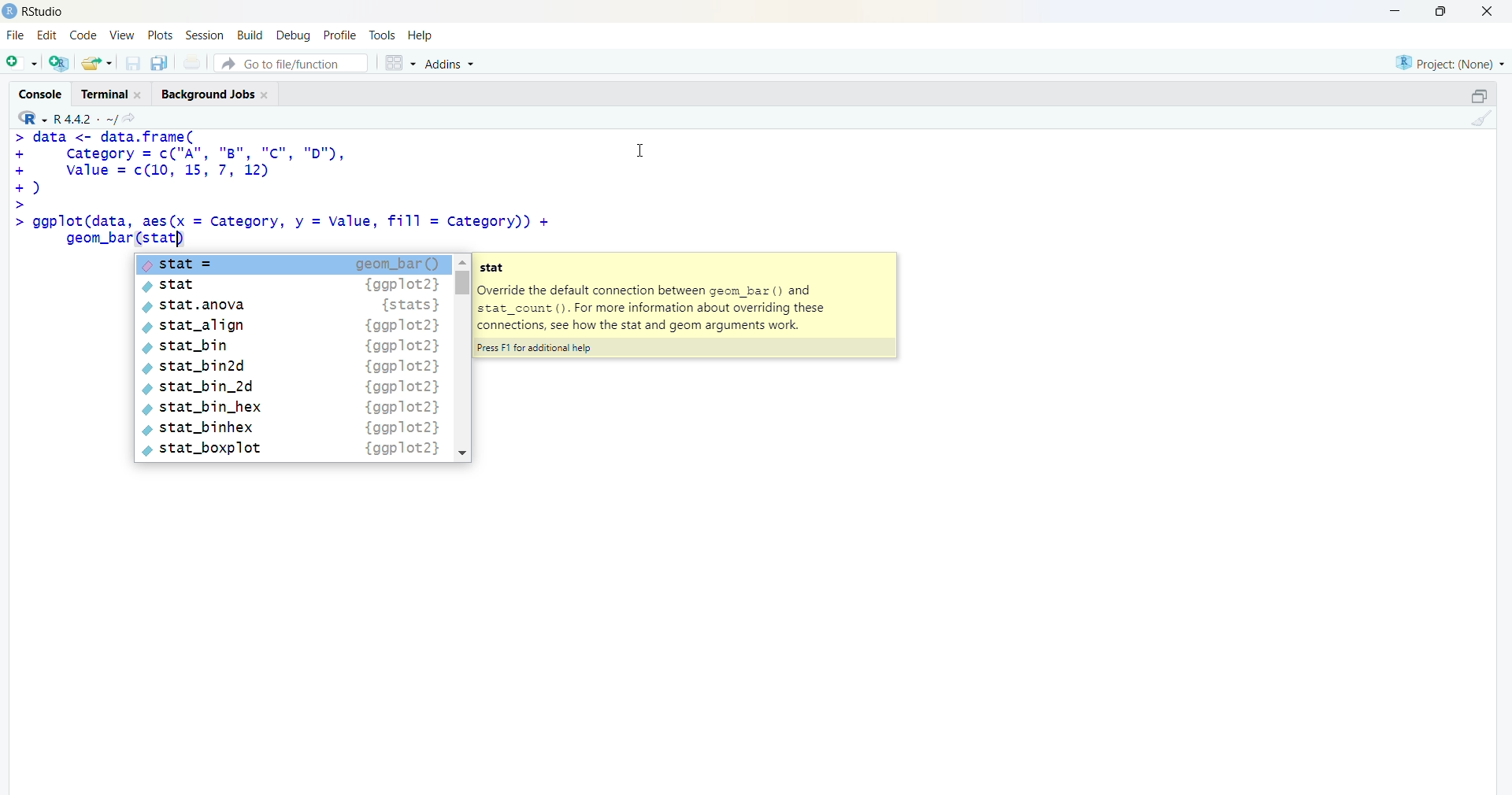  Describe the element at coordinates (684, 307) in the screenshot. I see `suggested -- statOverride the default connection between geom ba () andstat_count (). For more information about overriding theseconnections, see how the stat and geom arguments work.Press £1 for additional help.` at that location.